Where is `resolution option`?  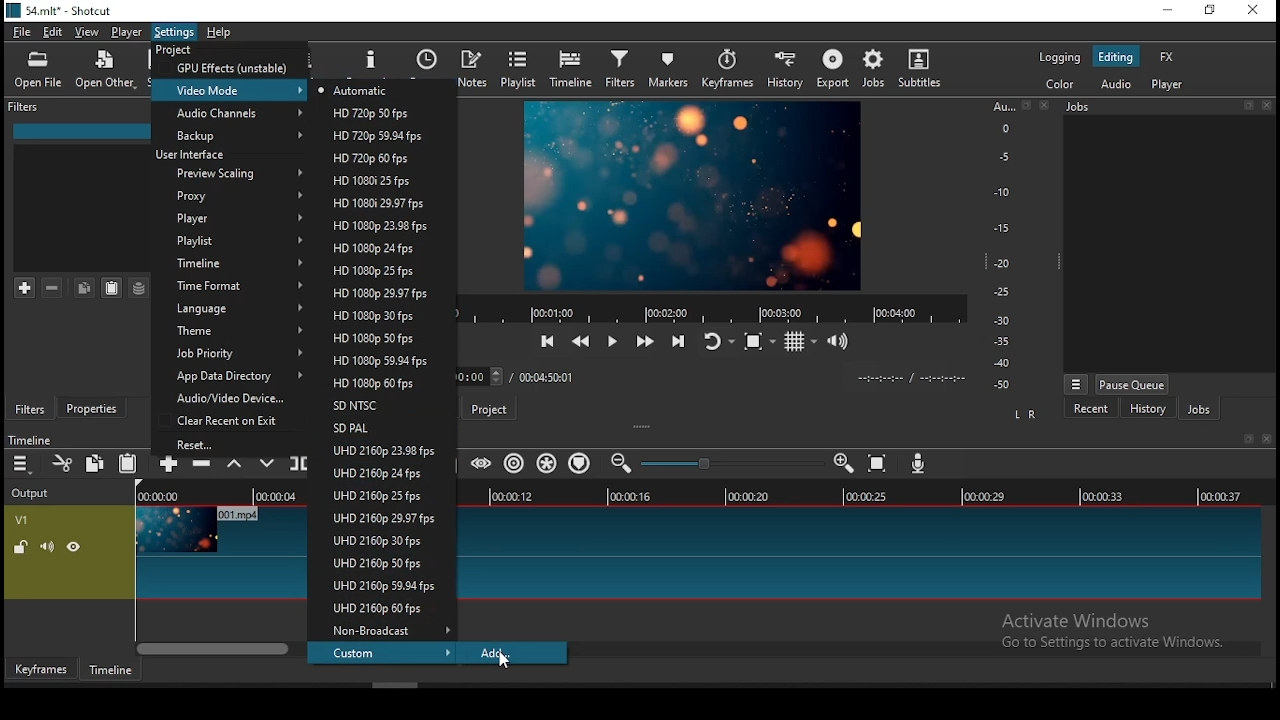 resolution option is located at coordinates (379, 405).